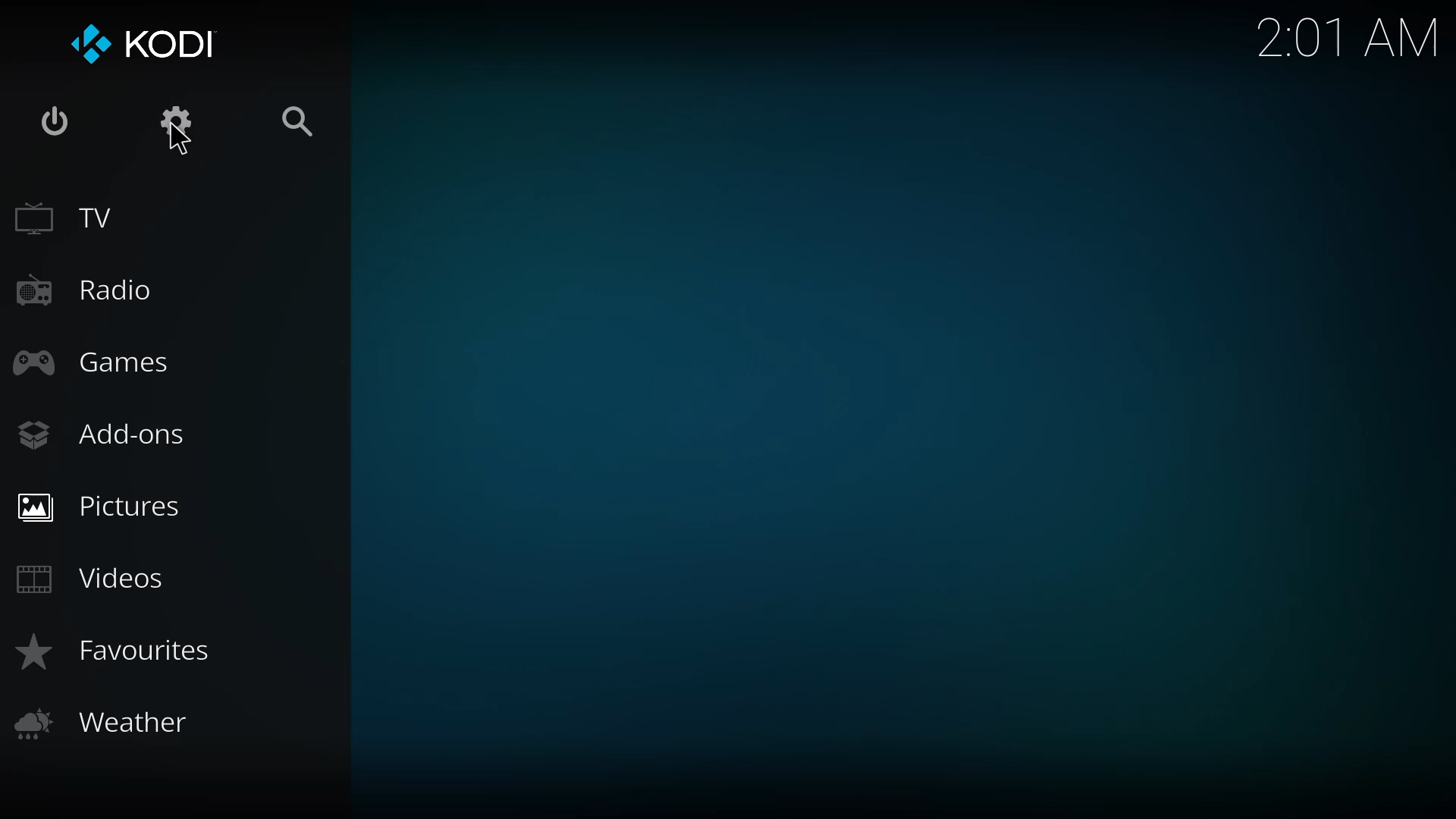 This screenshot has height=819, width=1456. Describe the element at coordinates (179, 139) in the screenshot. I see `cursor` at that location.